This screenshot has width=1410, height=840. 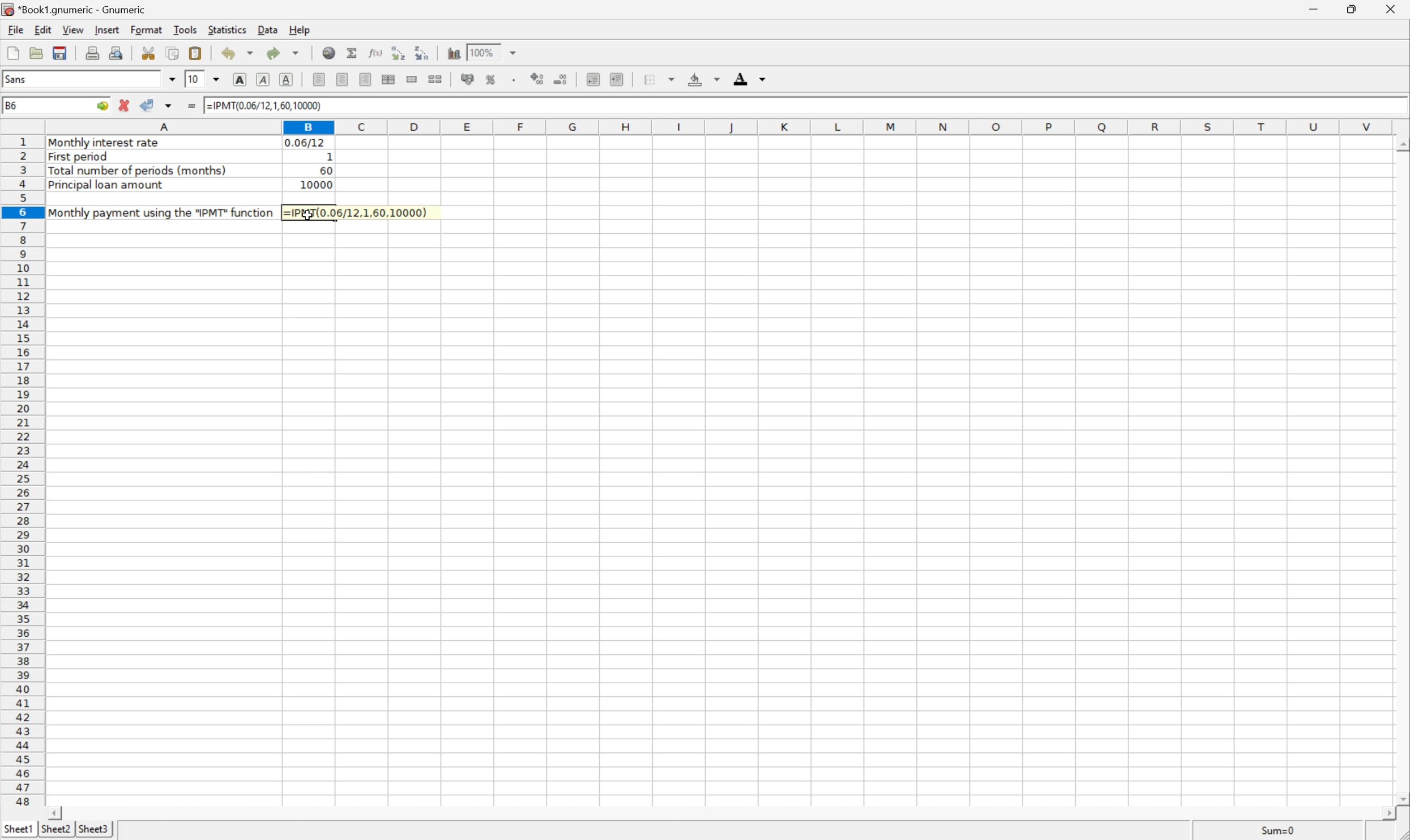 What do you see at coordinates (57, 812) in the screenshot?
I see `Scroll Left` at bounding box center [57, 812].